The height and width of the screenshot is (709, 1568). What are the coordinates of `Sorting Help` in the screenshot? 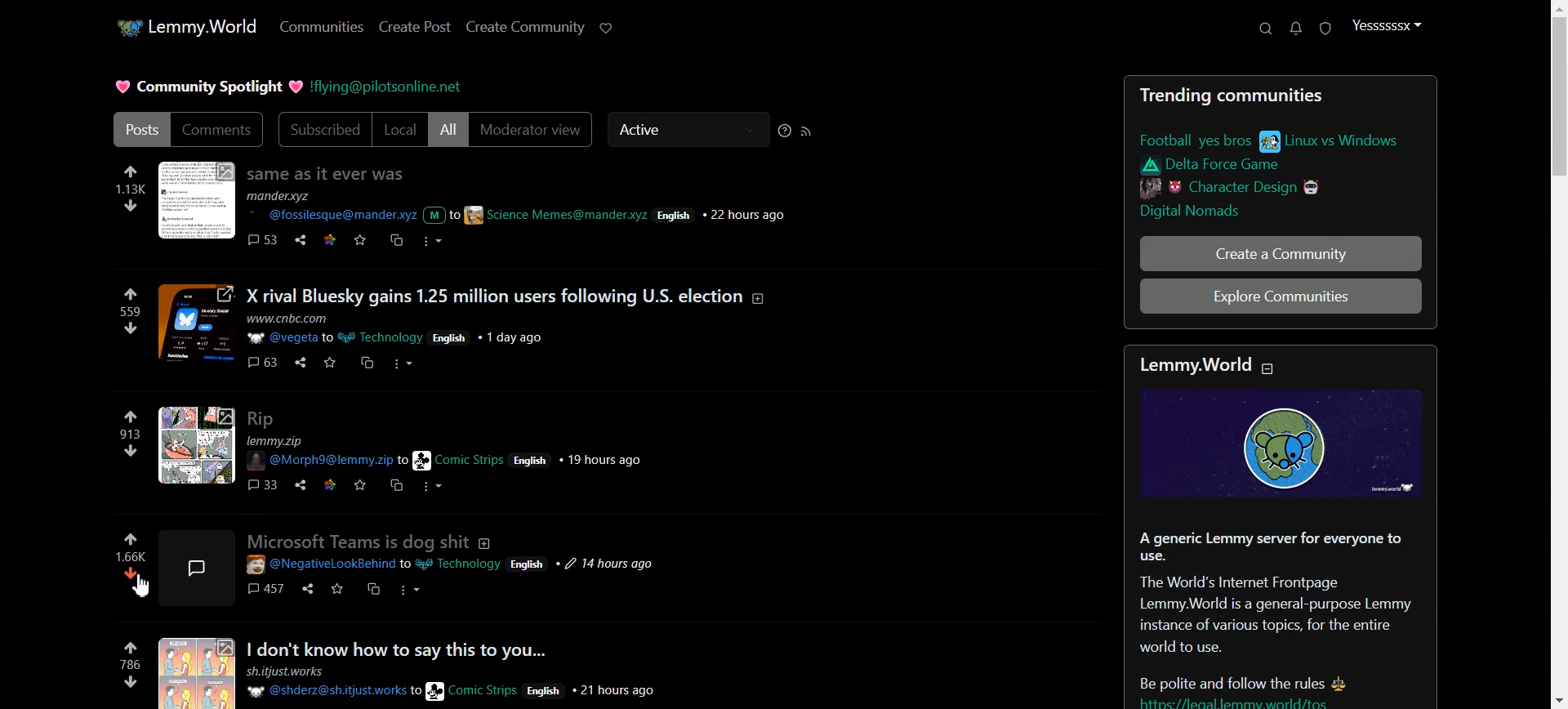 It's located at (786, 131).